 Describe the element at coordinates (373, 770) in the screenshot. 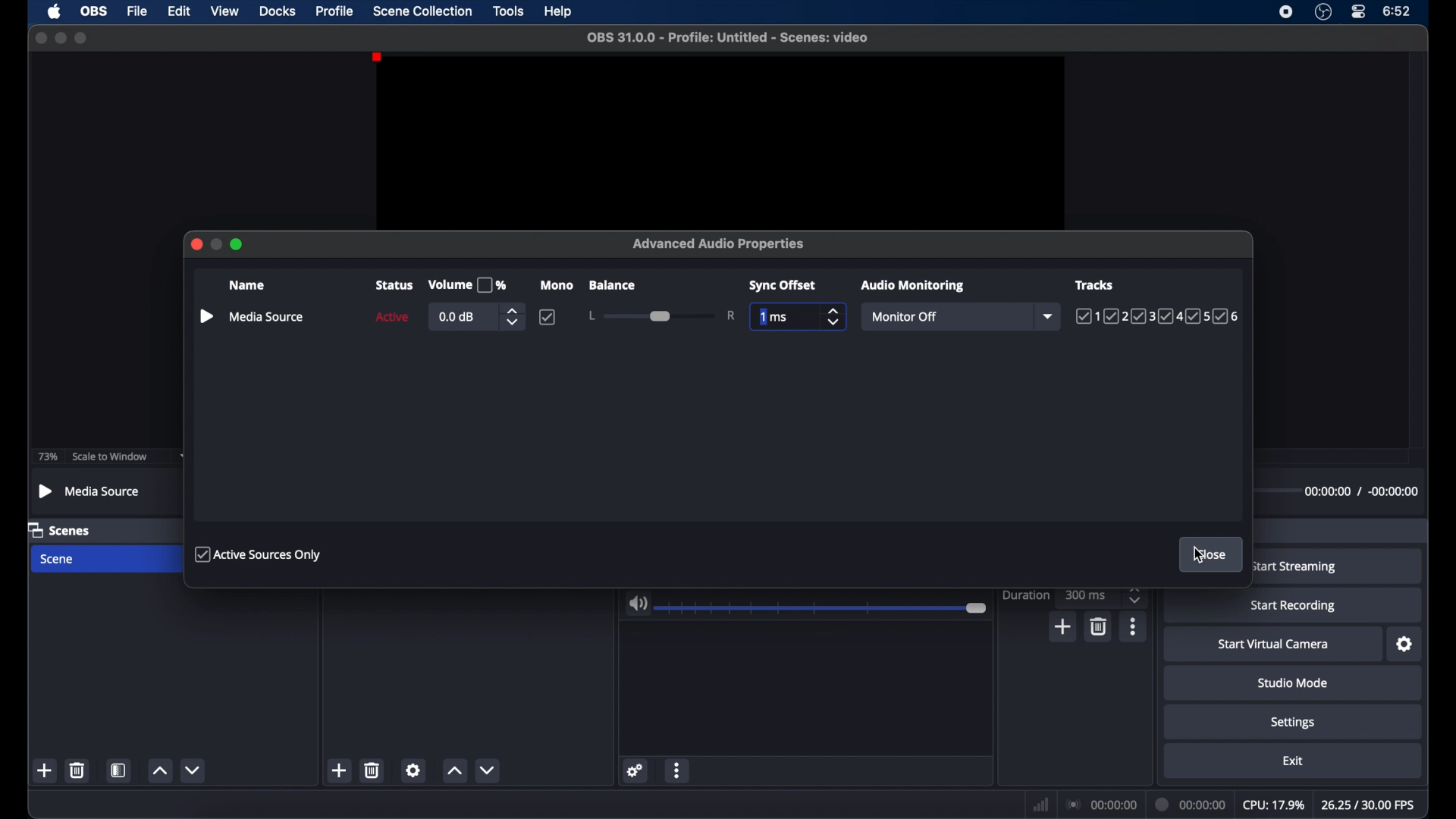

I see `delete` at that location.